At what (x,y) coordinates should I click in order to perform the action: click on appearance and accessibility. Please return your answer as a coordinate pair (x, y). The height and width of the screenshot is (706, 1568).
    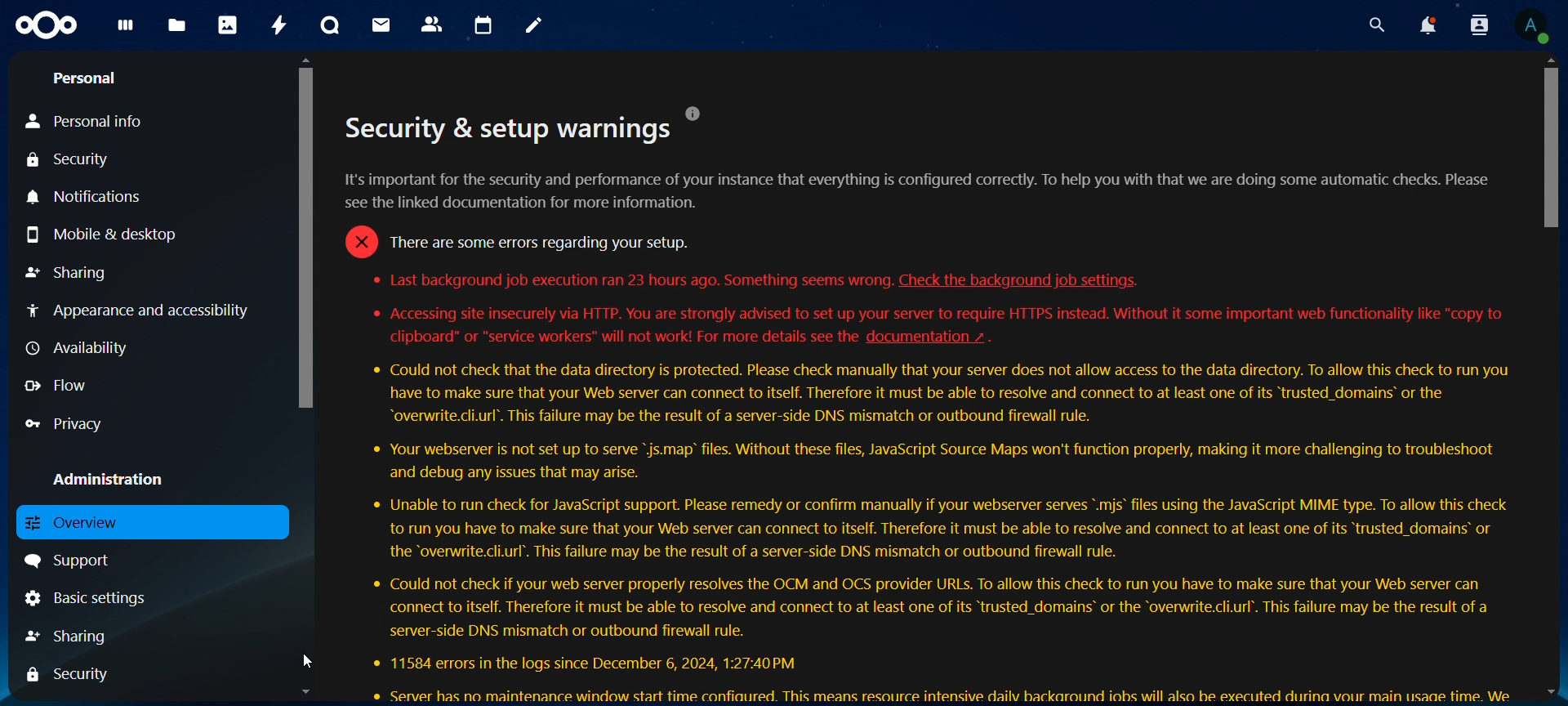
    Looking at the image, I should click on (141, 309).